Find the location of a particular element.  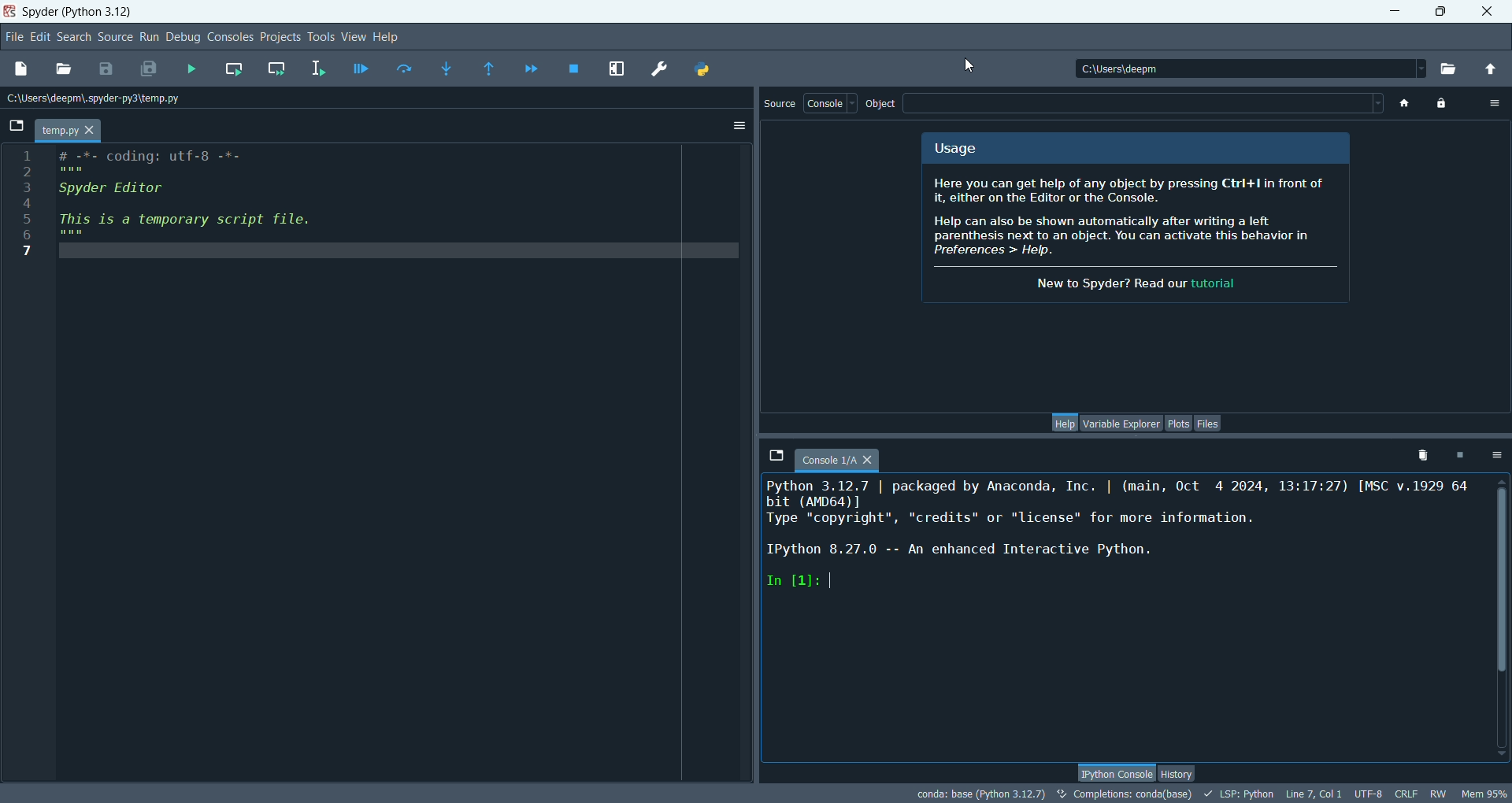

LSP: python is located at coordinates (1239, 794).